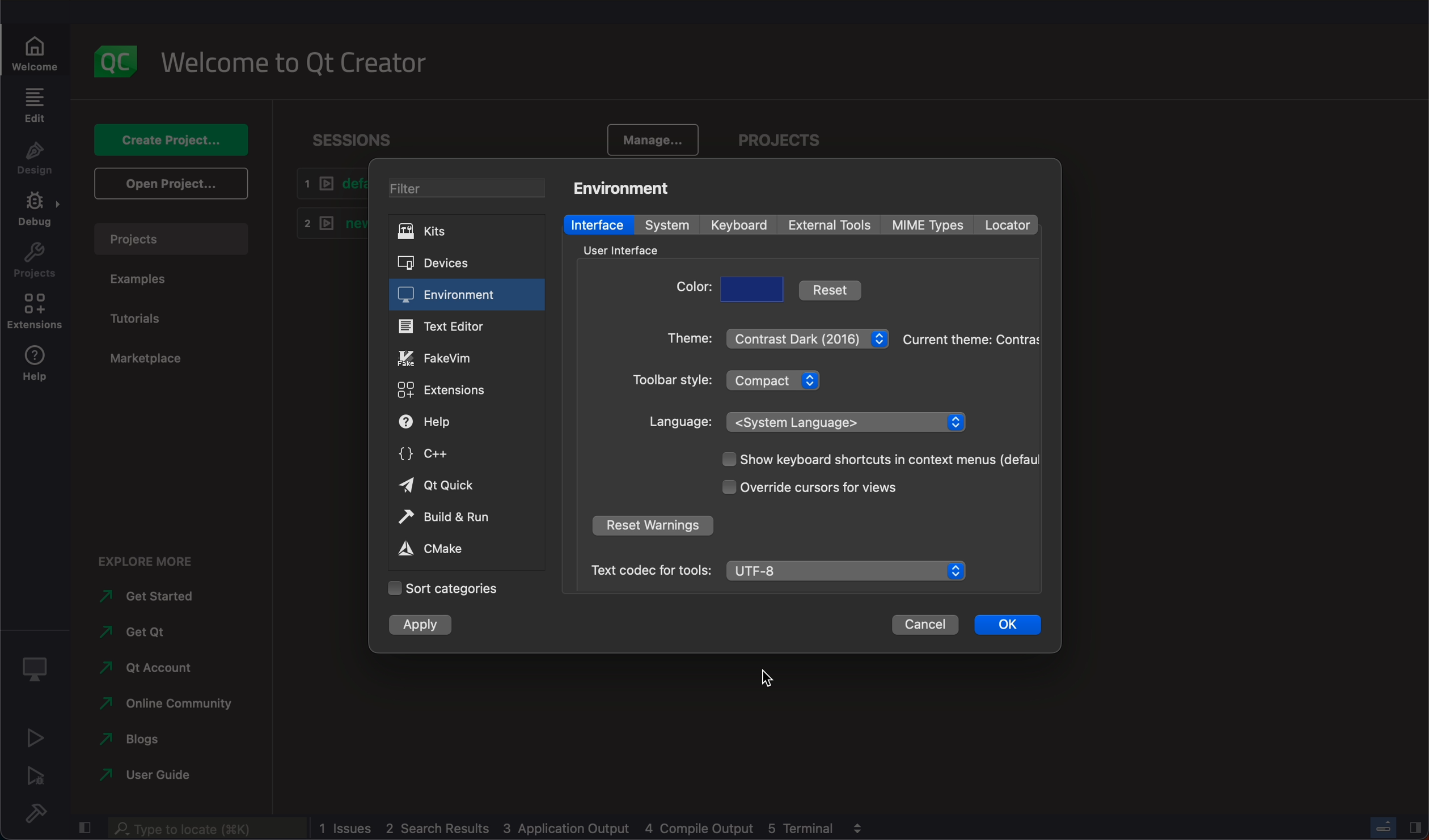  What do you see at coordinates (755, 289) in the screenshot?
I see `blue color` at bounding box center [755, 289].